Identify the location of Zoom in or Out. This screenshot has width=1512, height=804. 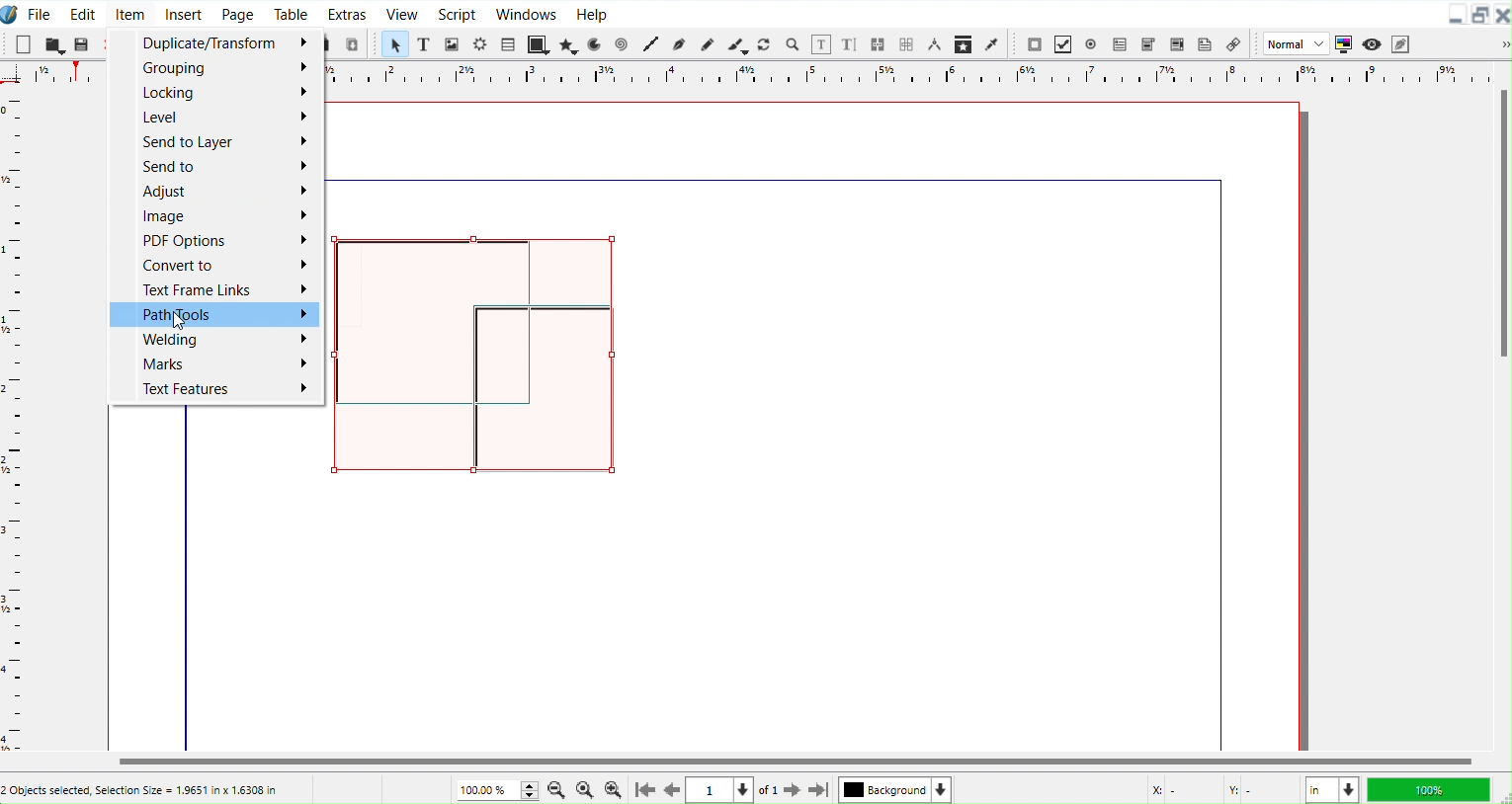
(792, 44).